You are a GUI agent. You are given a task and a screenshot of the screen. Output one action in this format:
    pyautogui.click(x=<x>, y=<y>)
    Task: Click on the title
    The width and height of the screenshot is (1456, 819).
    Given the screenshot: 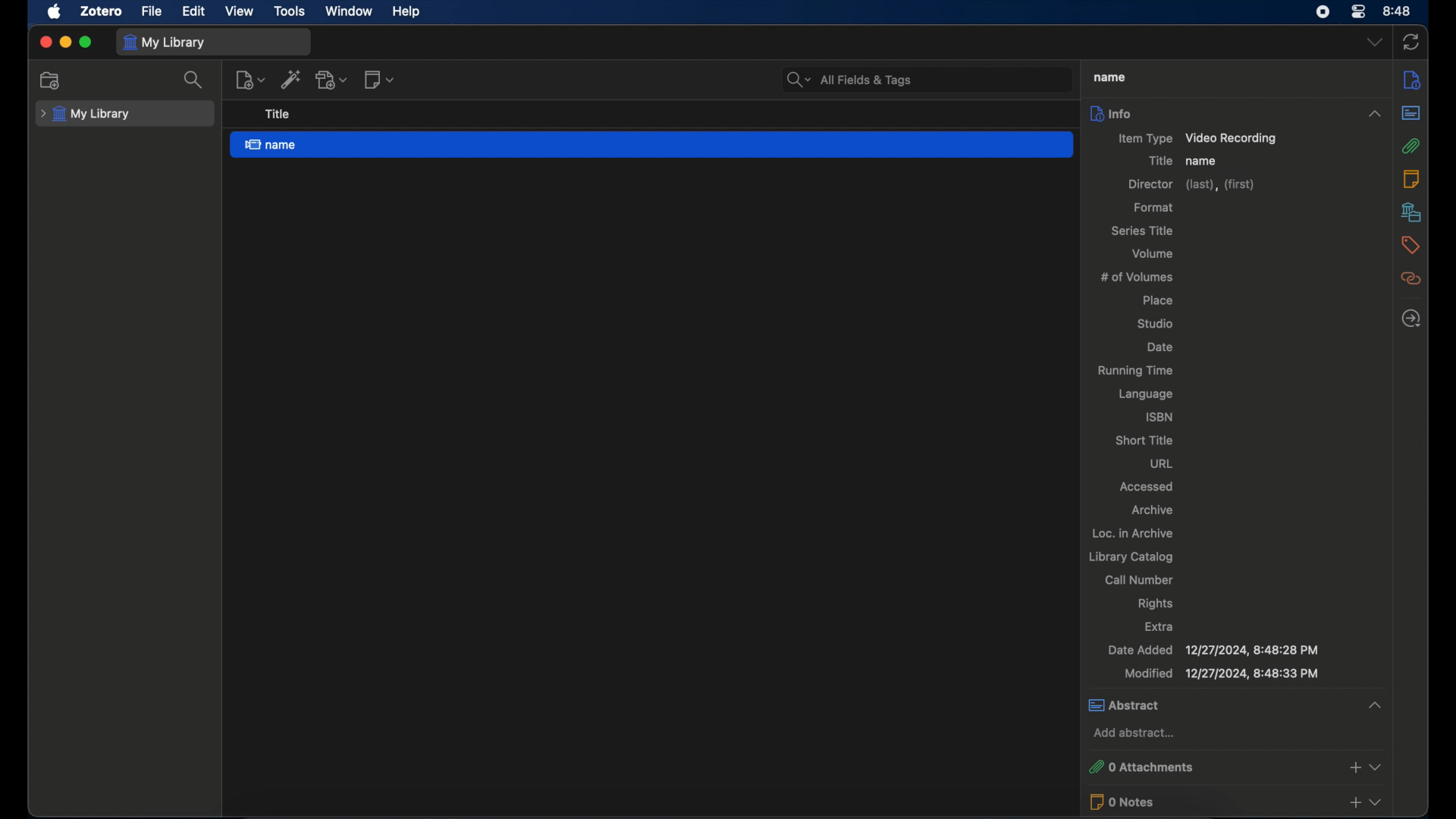 What is the action you would take?
    pyautogui.click(x=278, y=114)
    